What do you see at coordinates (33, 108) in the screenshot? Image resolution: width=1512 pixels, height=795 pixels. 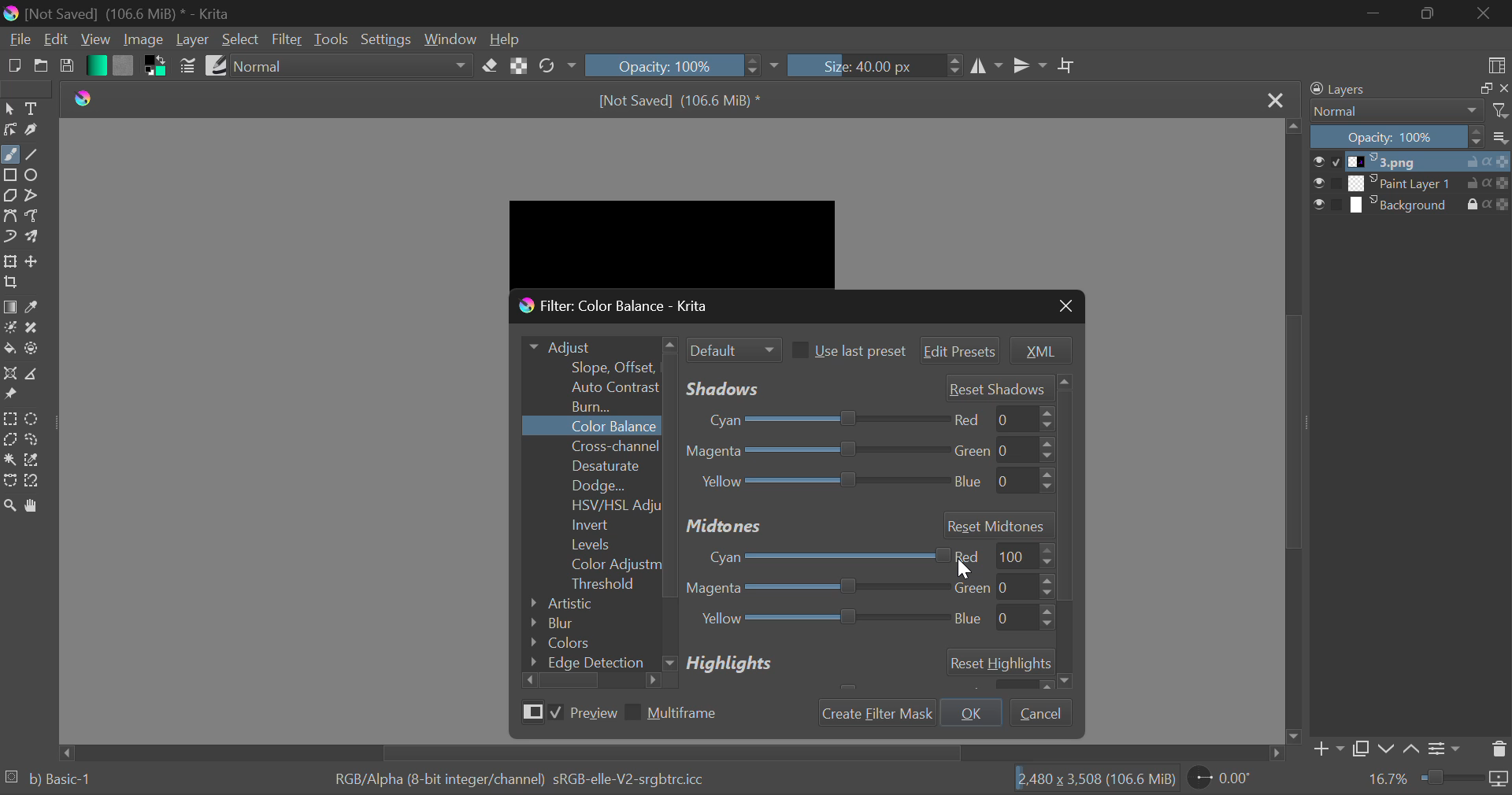 I see `Text` at bounding box center [33, 108].